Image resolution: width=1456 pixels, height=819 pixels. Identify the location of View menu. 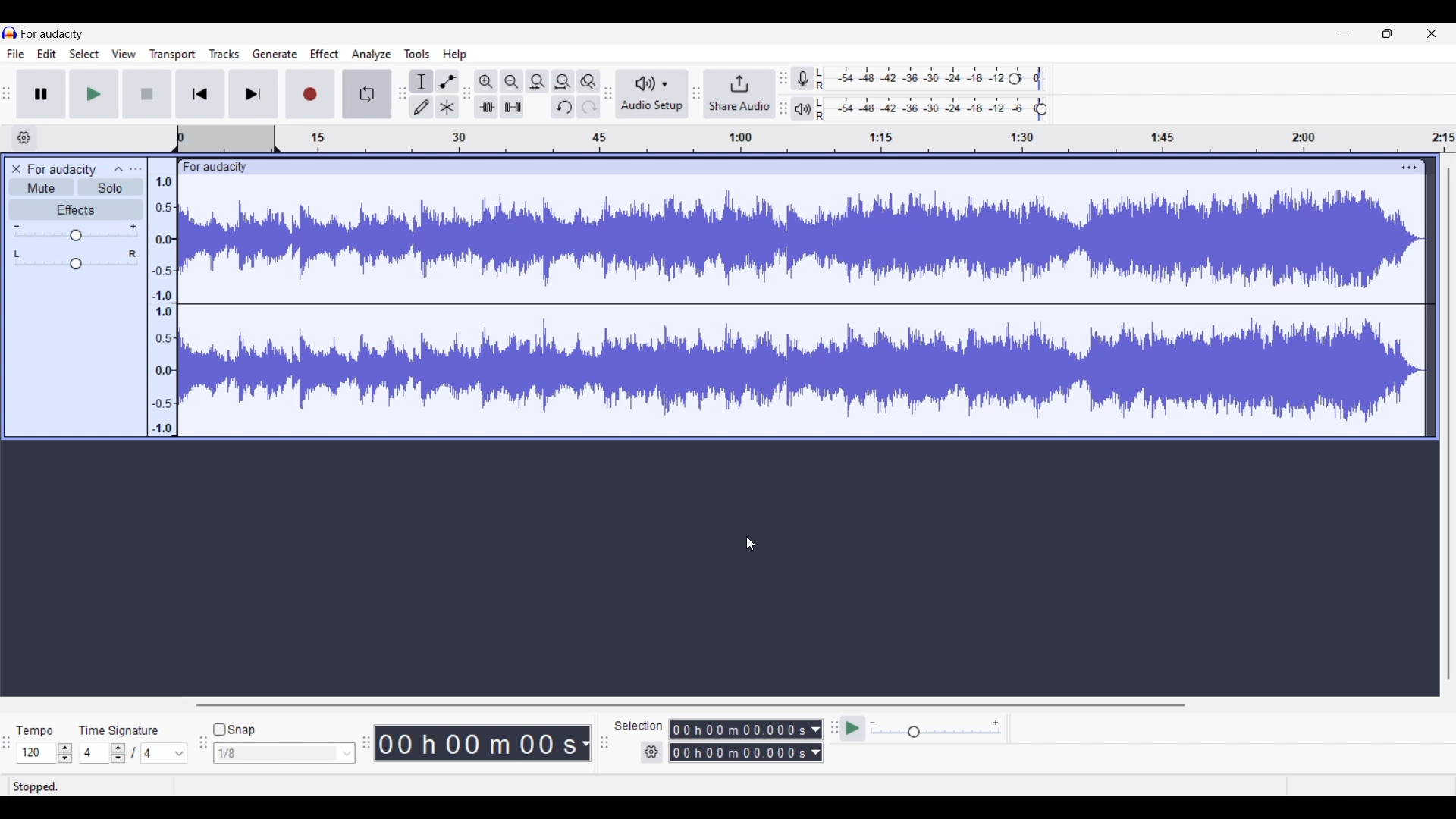
(124, 53).